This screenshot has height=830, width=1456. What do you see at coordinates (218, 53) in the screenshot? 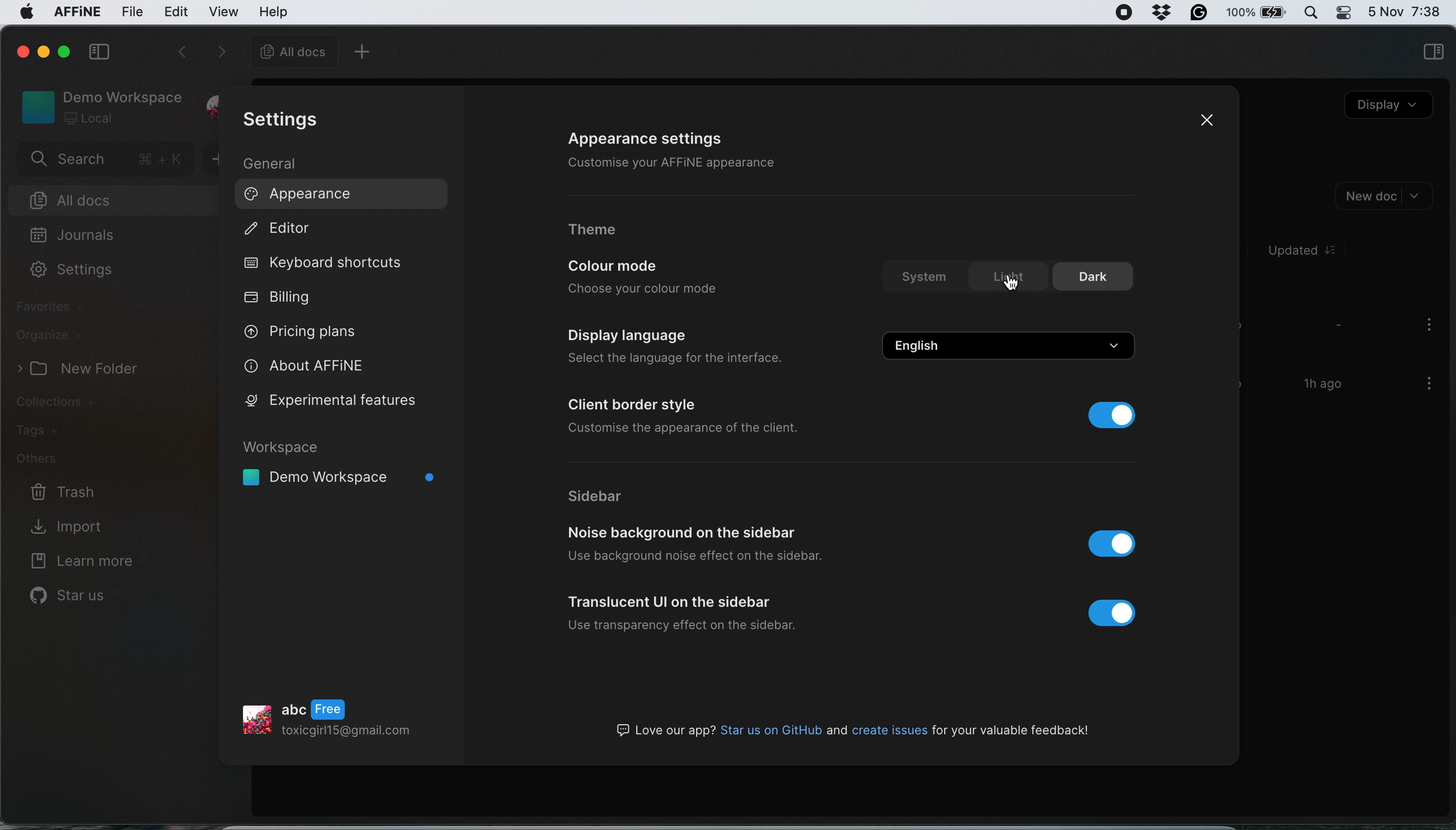
I see `forward` at bounding box center [218, 53].